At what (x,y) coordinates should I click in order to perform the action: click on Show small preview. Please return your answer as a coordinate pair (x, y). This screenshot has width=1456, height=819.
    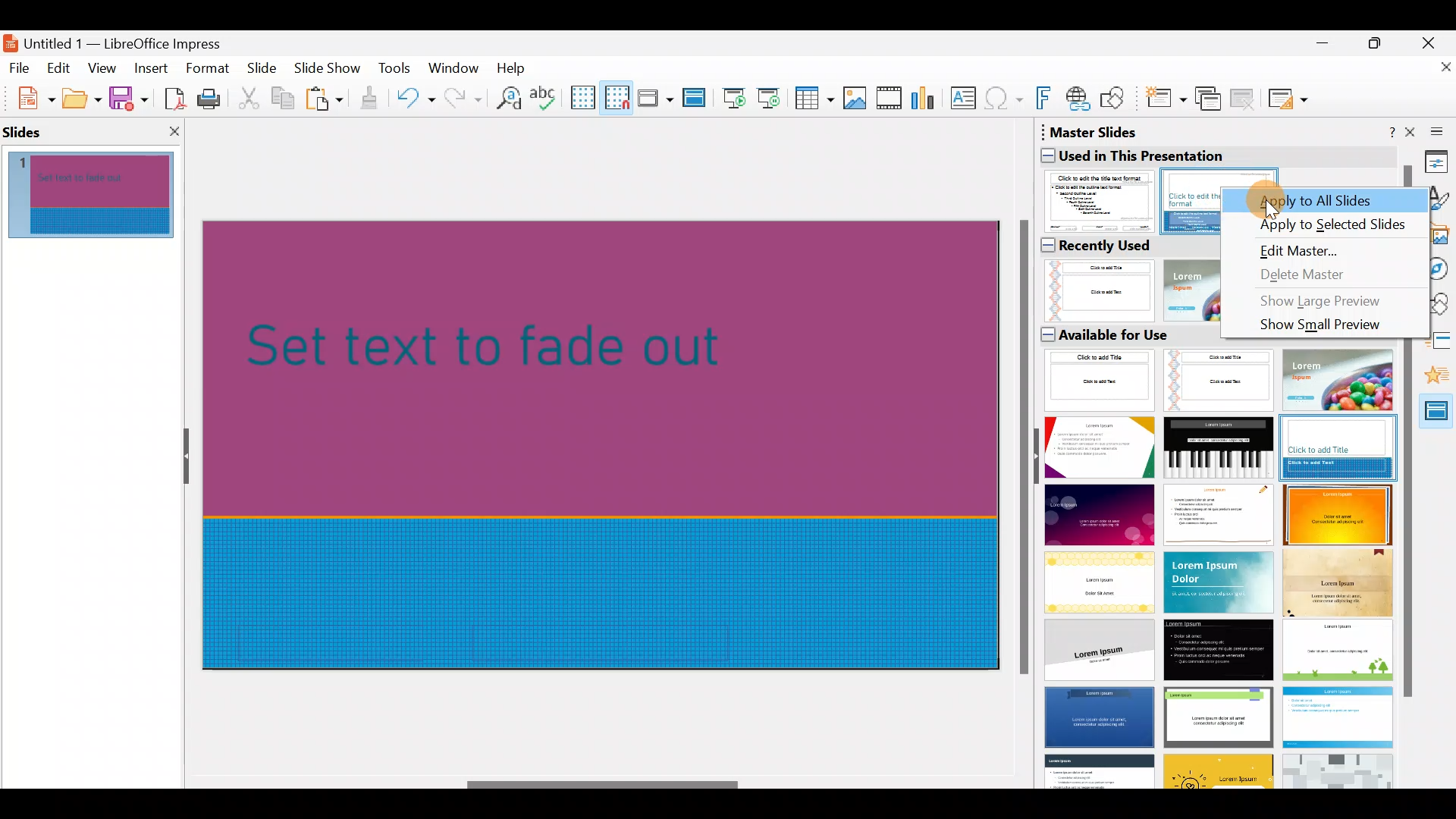
    Looking at the image, I should click on (1310, 328).